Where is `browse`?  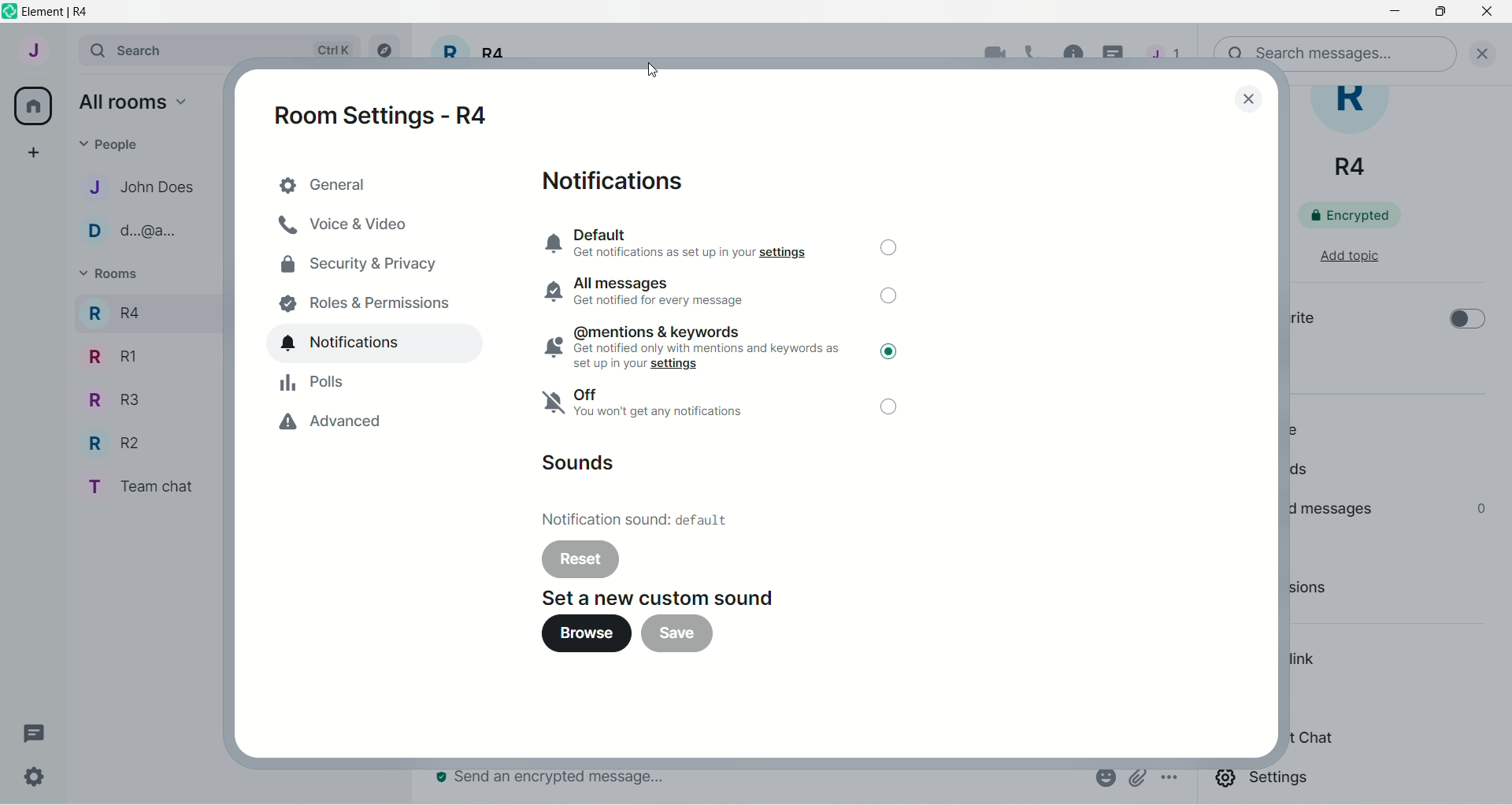
browse is located at coordinates (577, 634).